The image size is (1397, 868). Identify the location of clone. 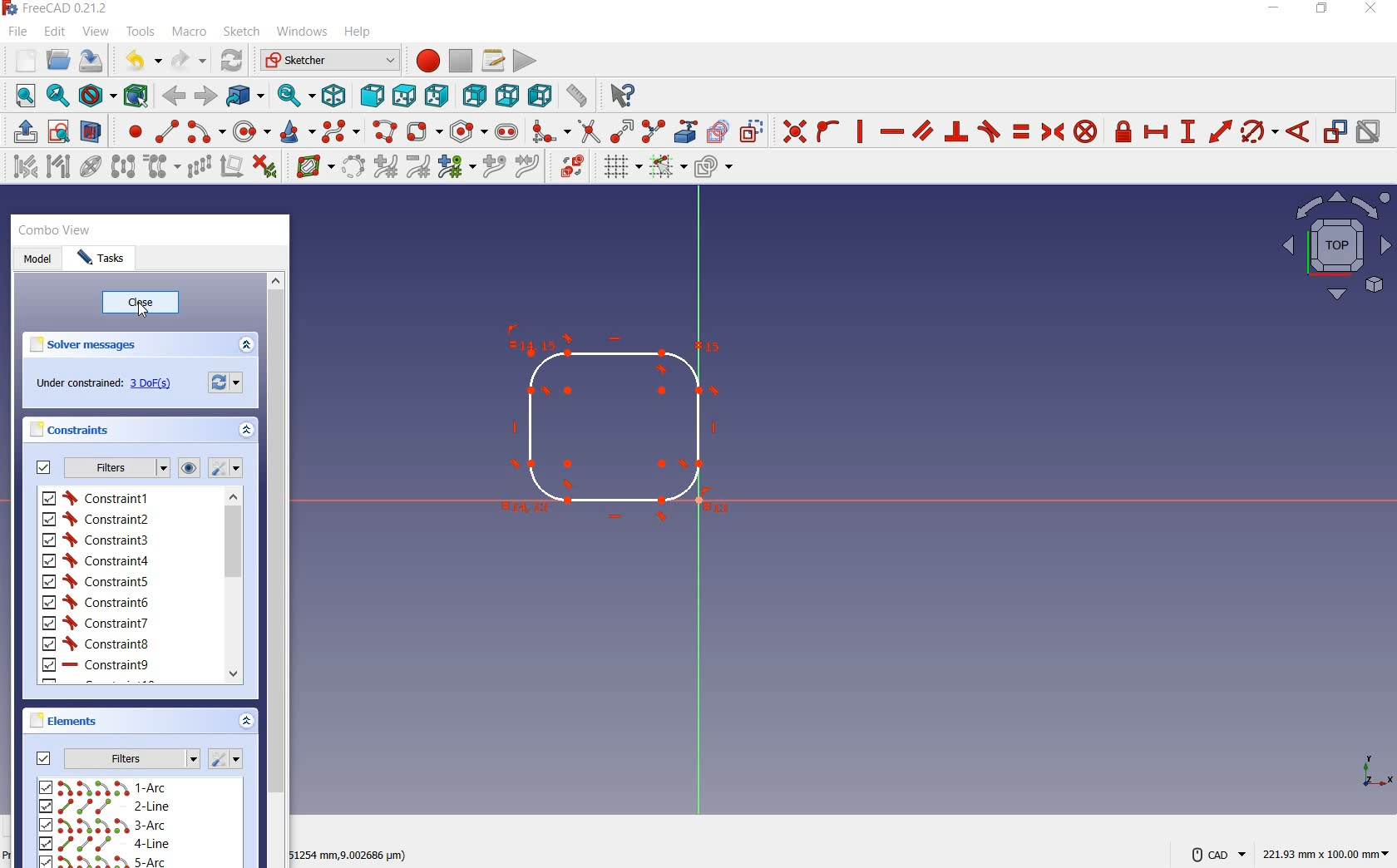
(161, 170).